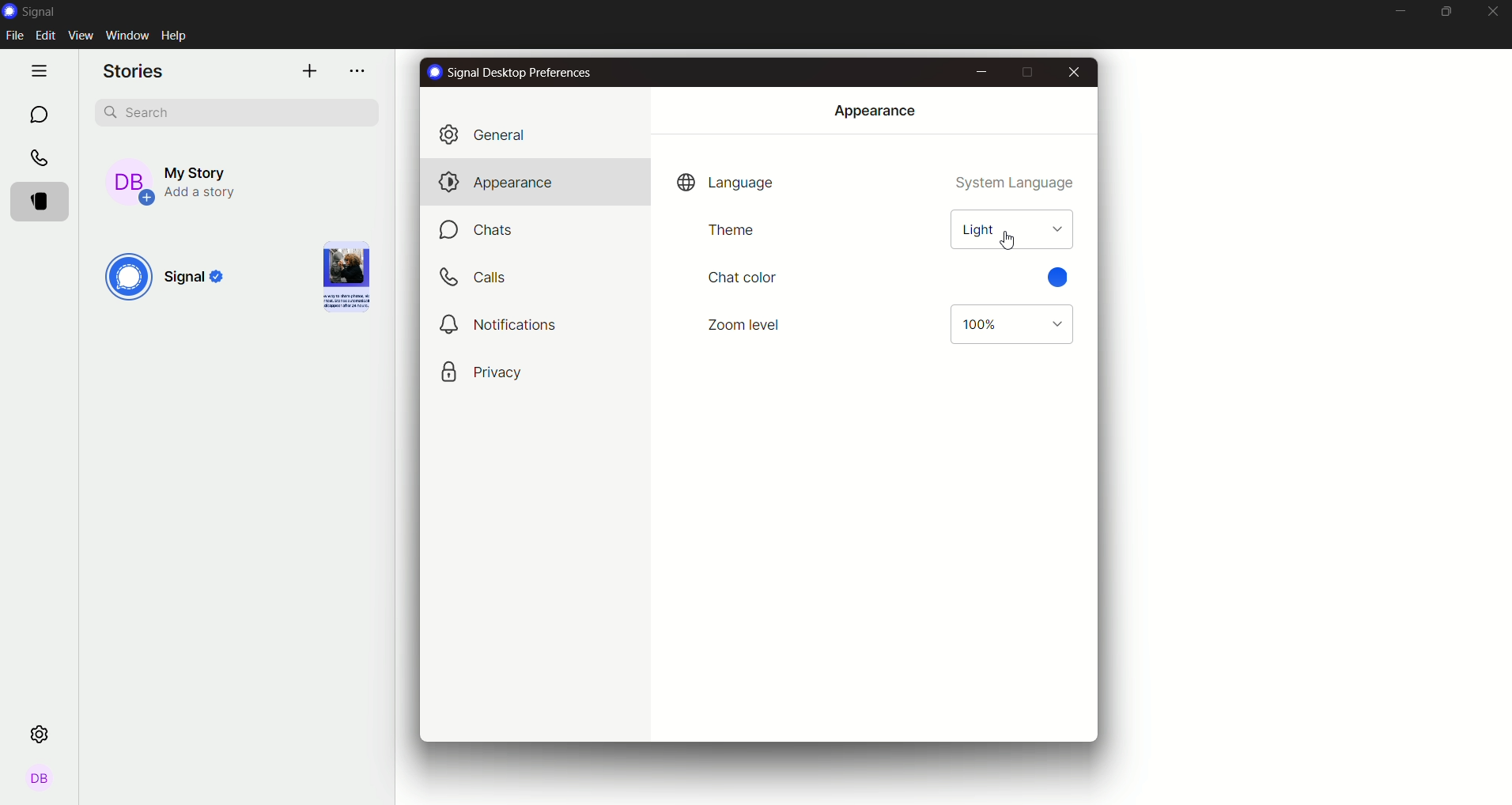  What do you see at coordinates (40, 158) in the screenshot?
I see `calls` at bounding box center [40, 158].